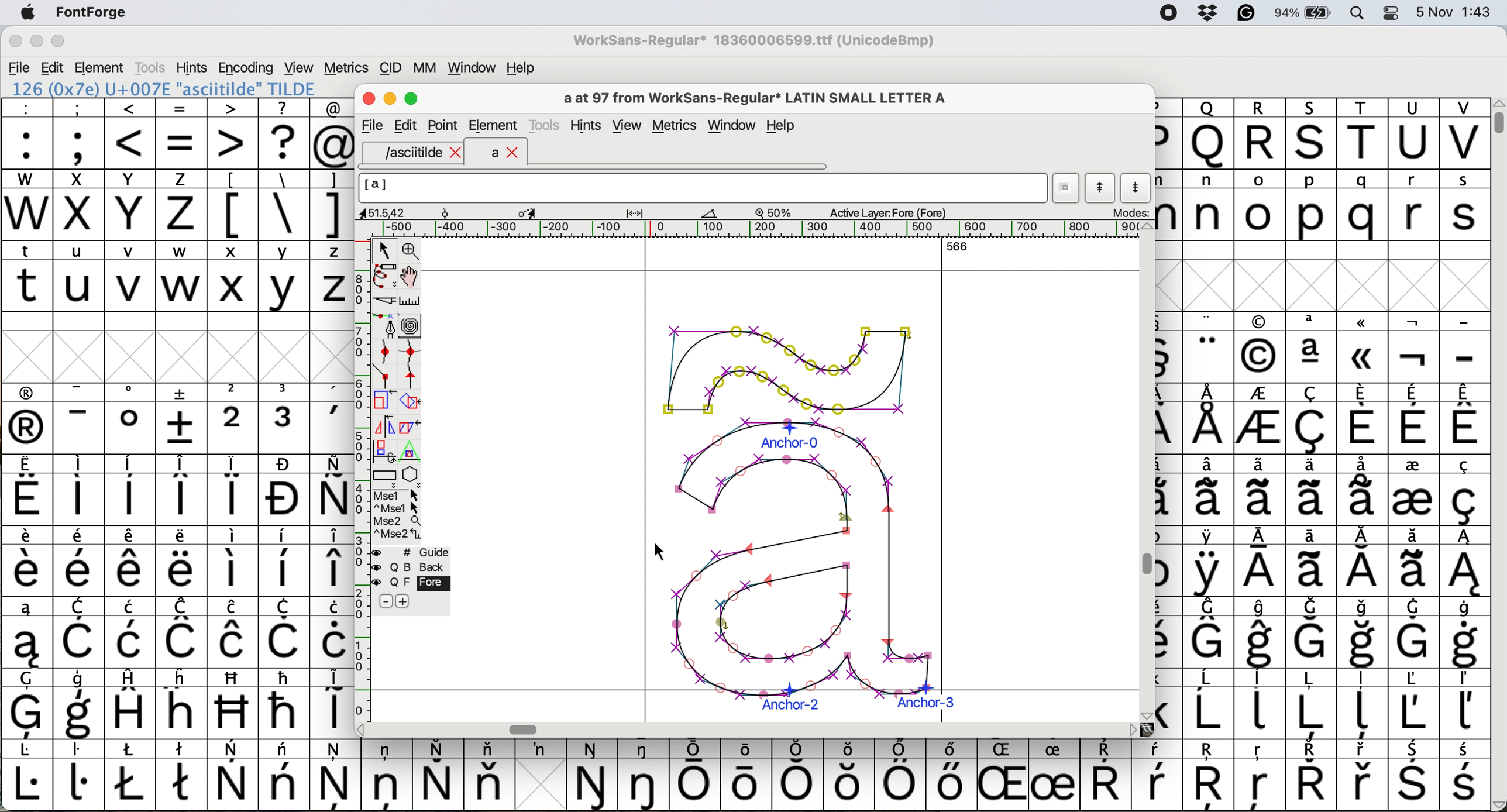 The width and height of the screenshot is (1507, 812). What do you see at coordinates (1209, 632) in the screenshot?
I see `symbol` at bounding box center [1209, 632].